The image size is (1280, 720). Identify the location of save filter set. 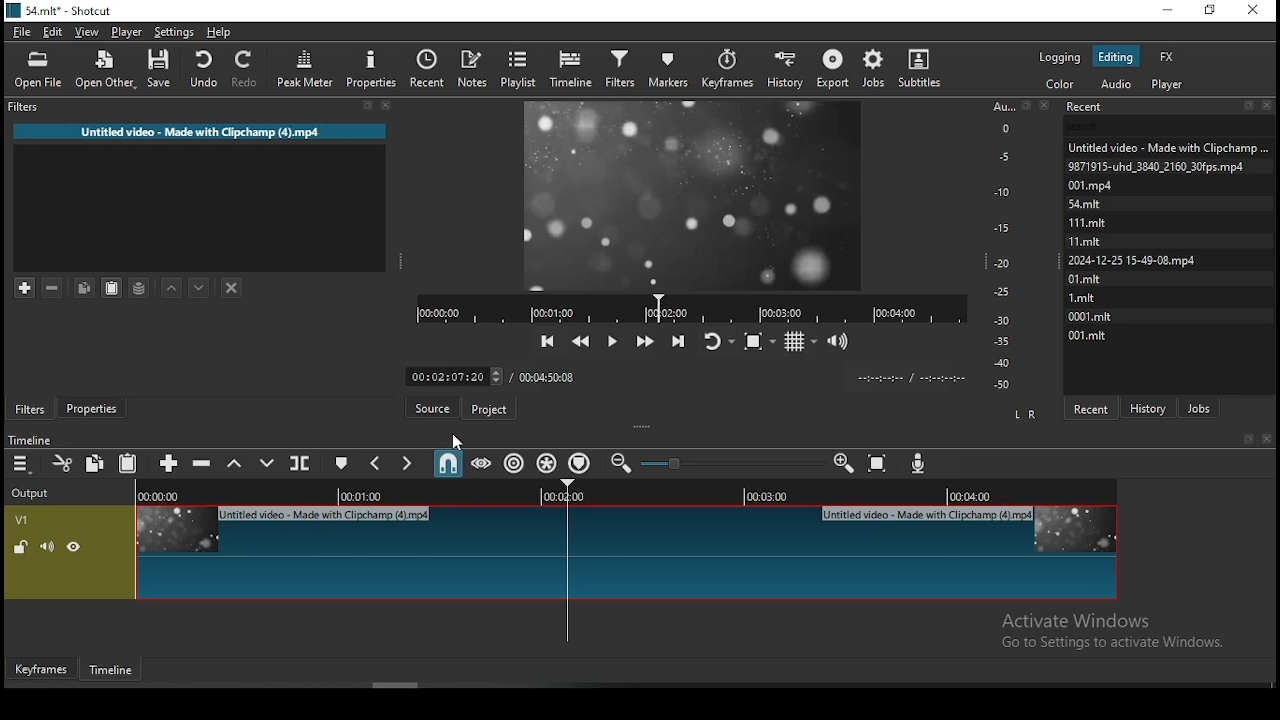
(142, 288).